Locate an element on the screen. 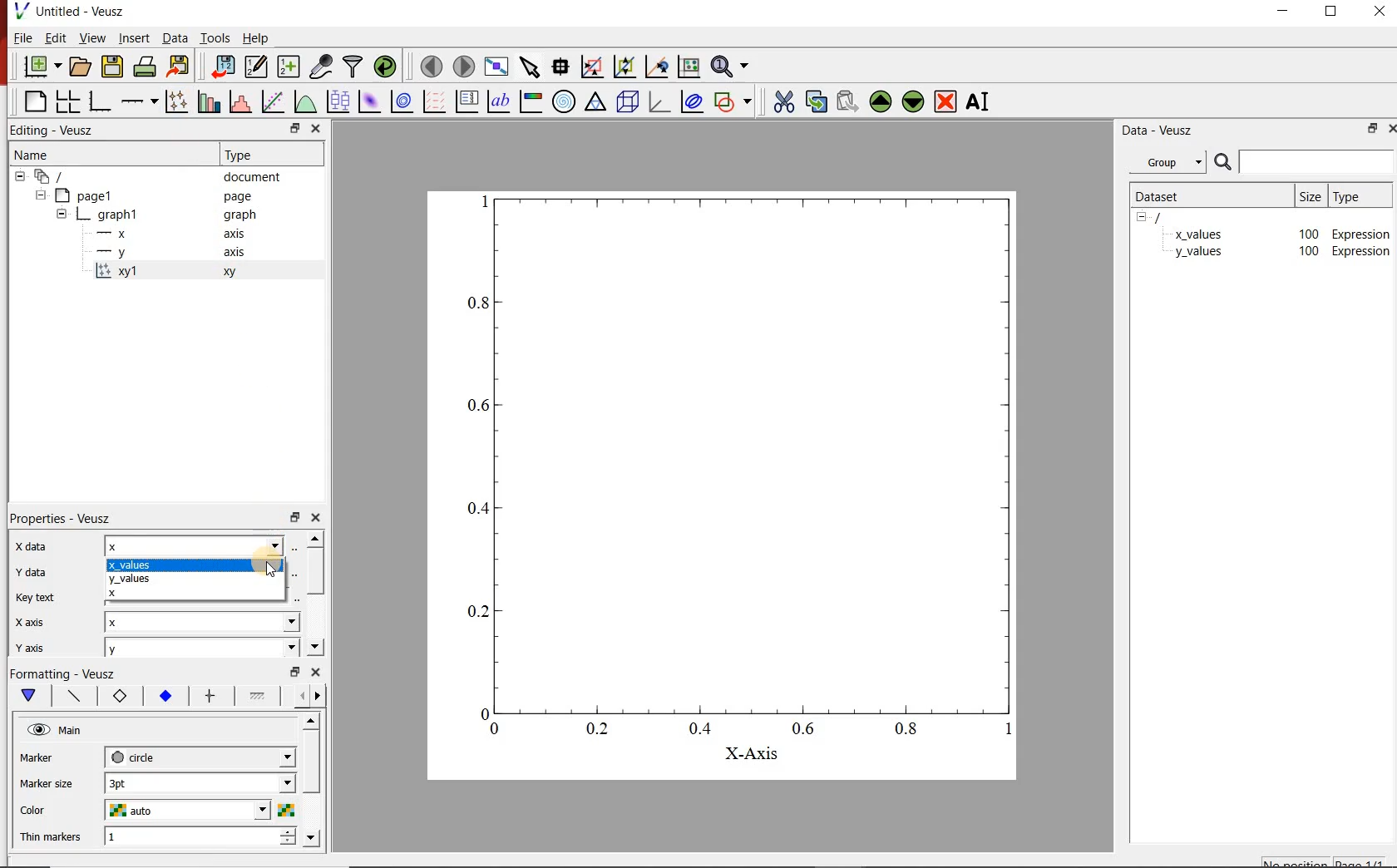 The image size is (1397, 868). fill 1 is located at coordinates (262, 695).